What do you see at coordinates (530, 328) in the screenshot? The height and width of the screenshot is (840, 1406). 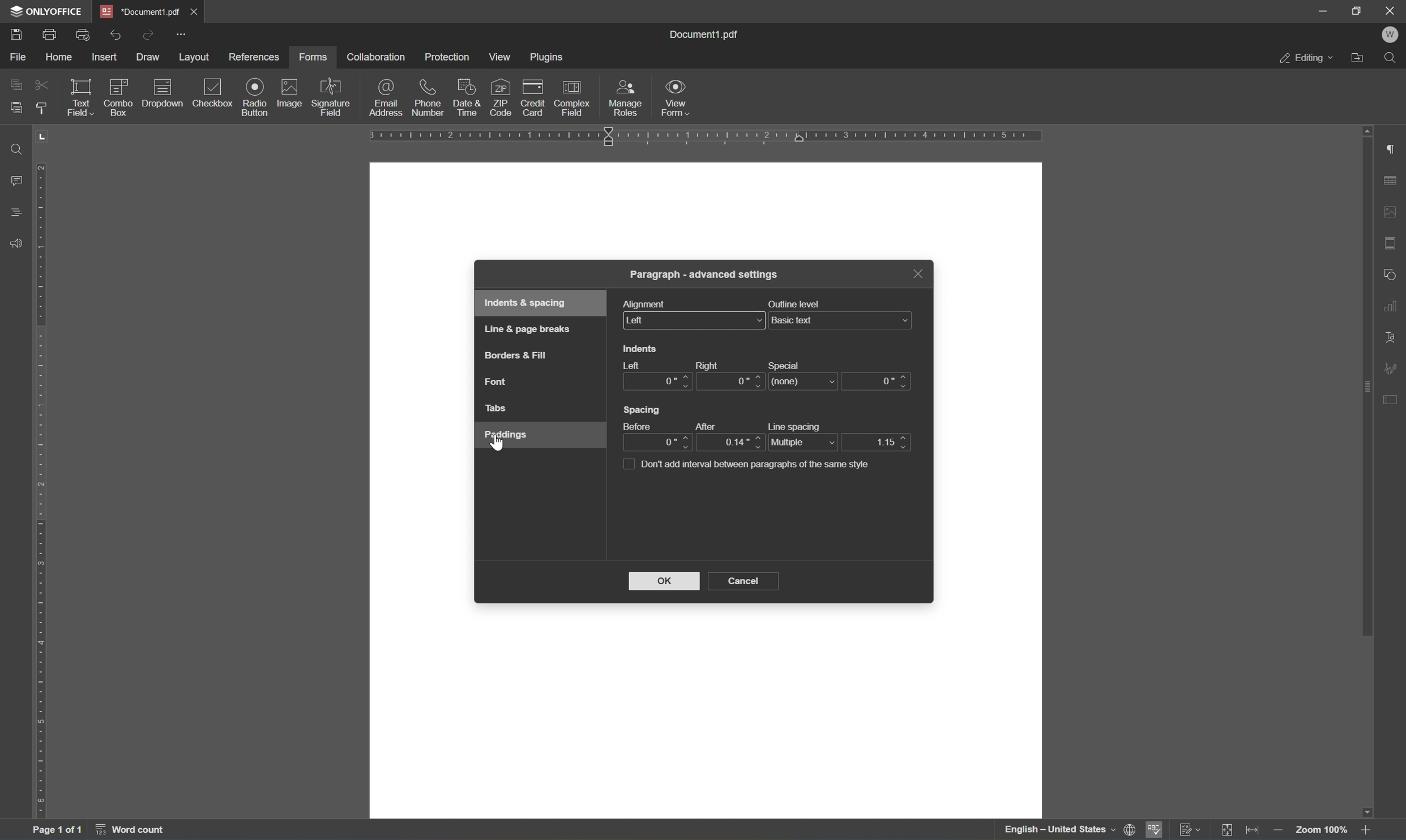 I see `line & page breaks` at bounding box center [530, 328].